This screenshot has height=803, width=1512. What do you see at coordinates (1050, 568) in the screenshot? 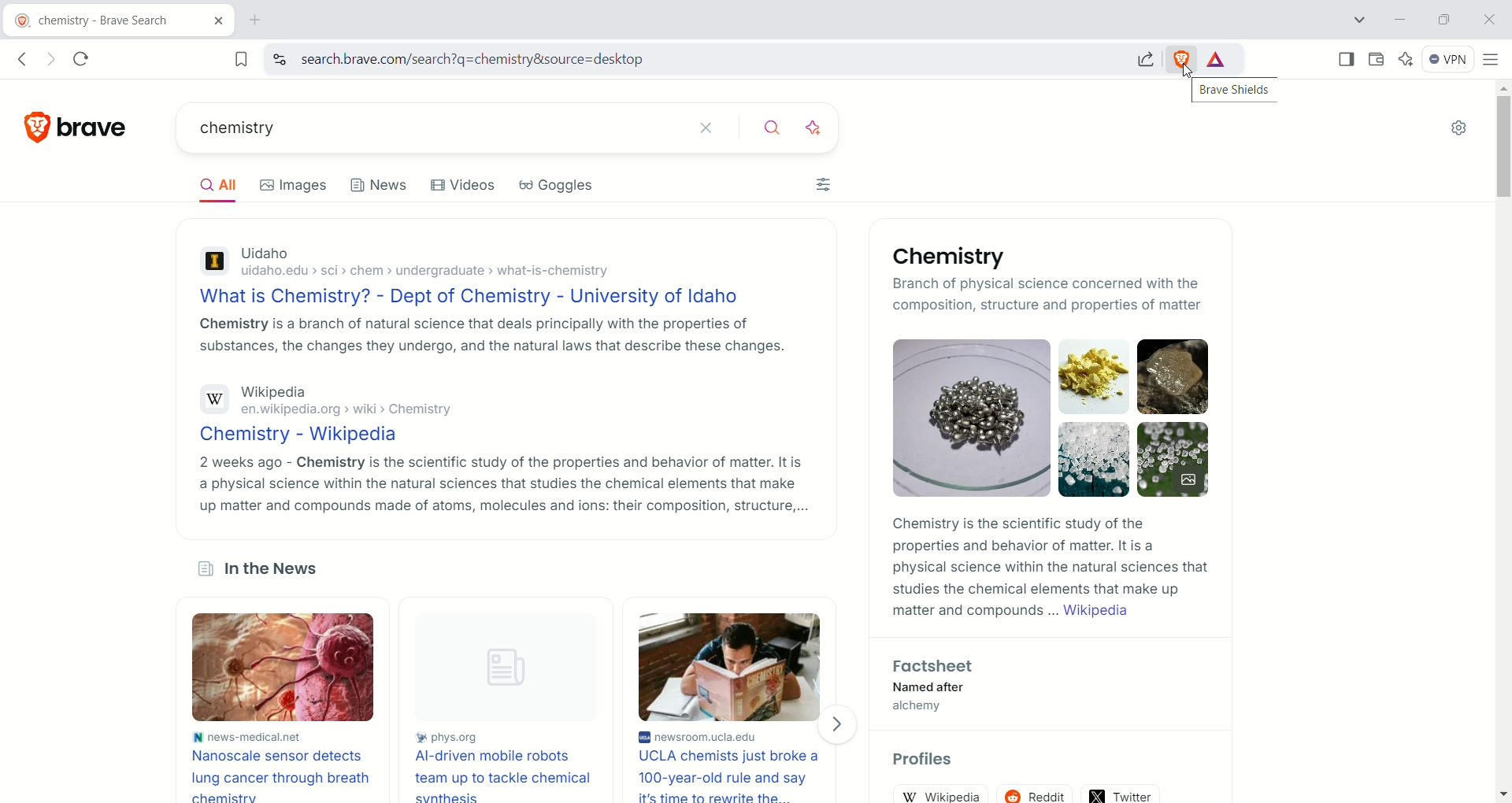
I see `Chemistry is the scientific study of the properties and behavior of matter. It is a physical science within the natural sciences that studies the chemical elements that make up matter and compounds … Wikipedia` at bounding box center [1050, 568].